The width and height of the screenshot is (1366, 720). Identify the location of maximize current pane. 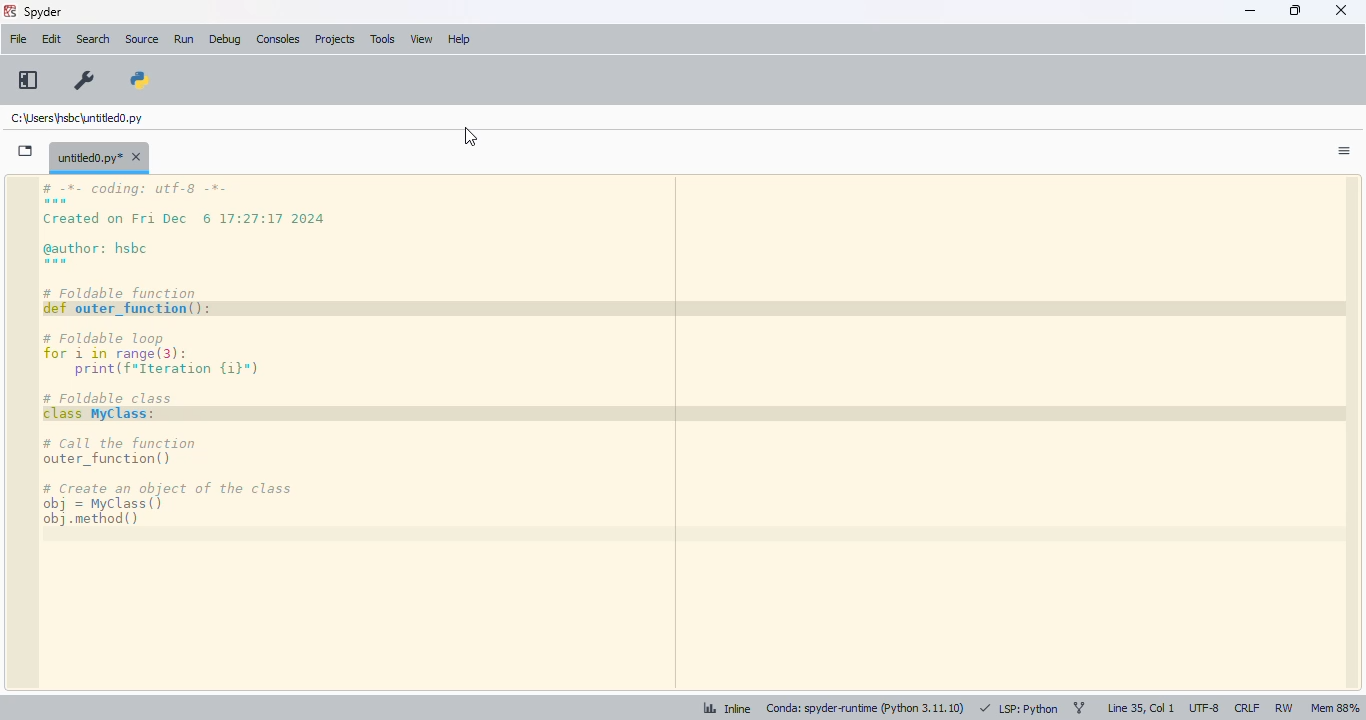
(28, 80).